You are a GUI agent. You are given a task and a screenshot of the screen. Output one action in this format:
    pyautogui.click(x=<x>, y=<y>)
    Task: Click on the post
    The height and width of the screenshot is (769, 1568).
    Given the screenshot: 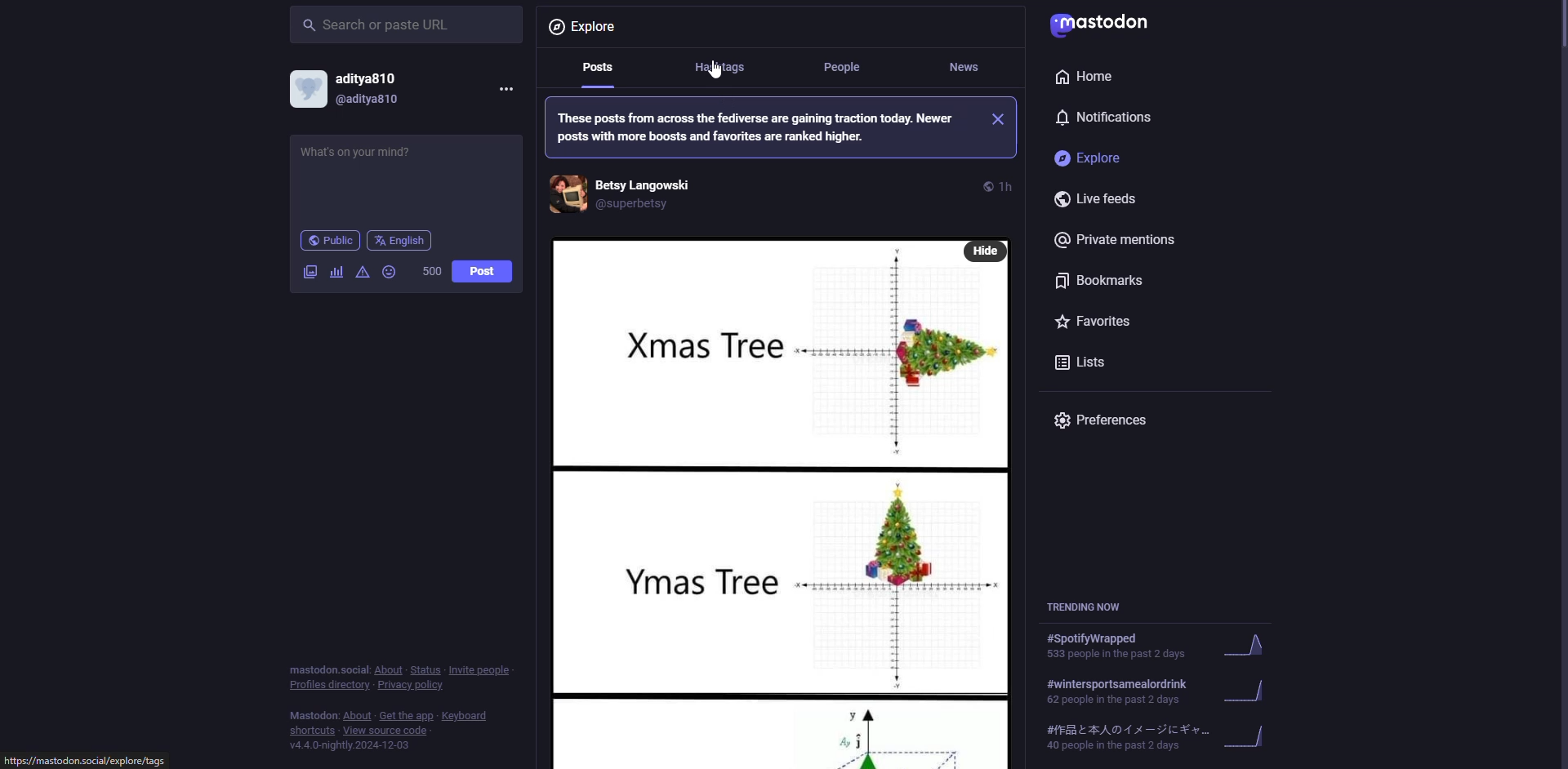 What is the action you would take?
    pyautogui.click(x=781, y=362)
    